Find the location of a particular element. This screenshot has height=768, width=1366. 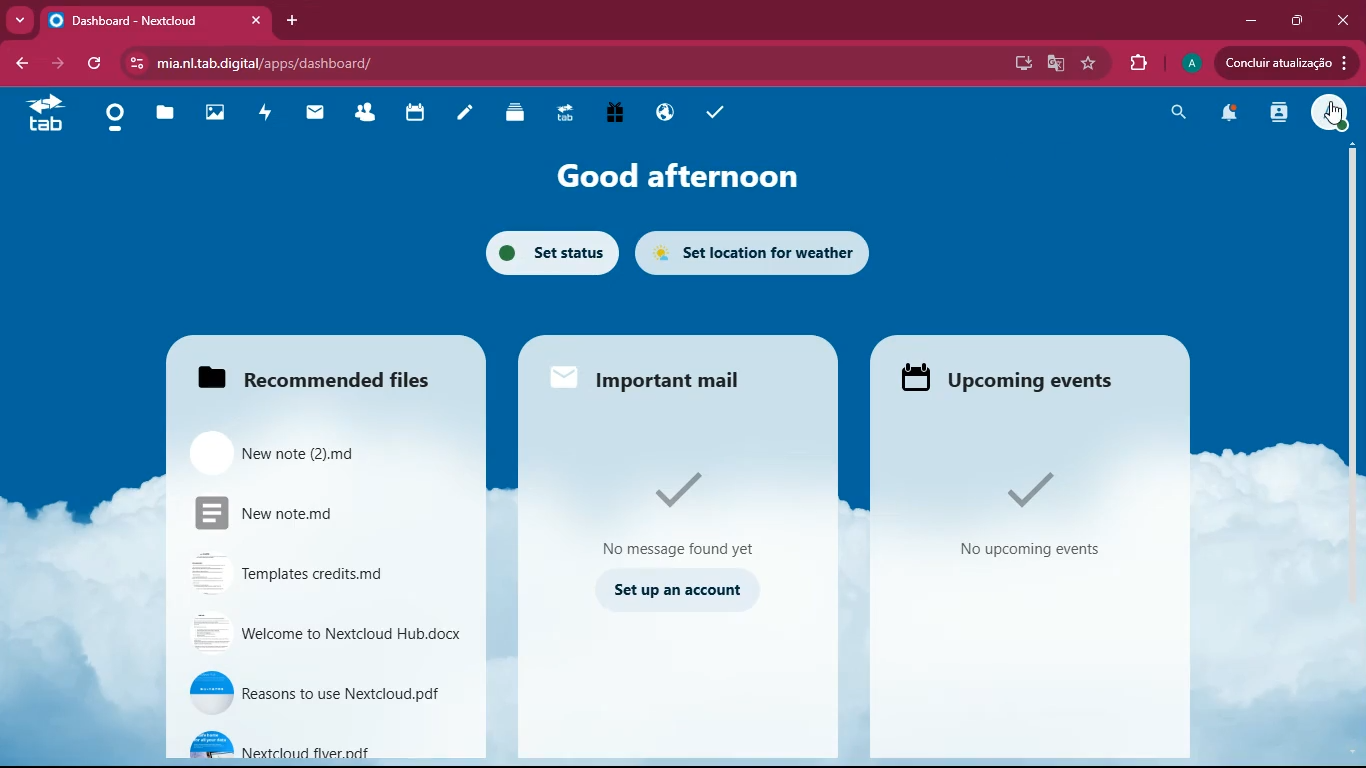

calendar is located at coordinates (410, 113).